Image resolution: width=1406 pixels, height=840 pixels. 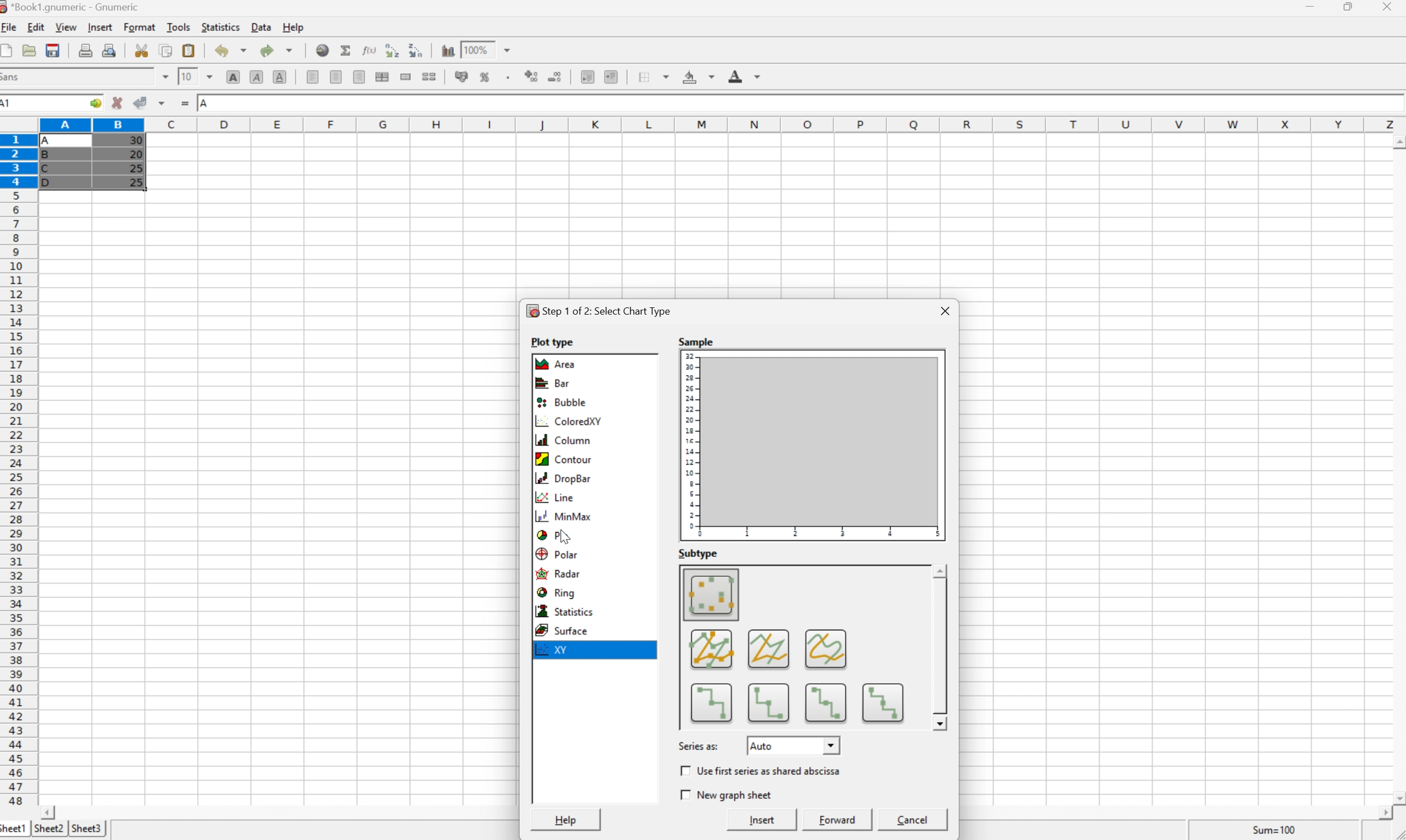 What do you see at coordinates (9, 50) in the screenshot?
I see `Create a new workbook` at bounding box center [9, 50].